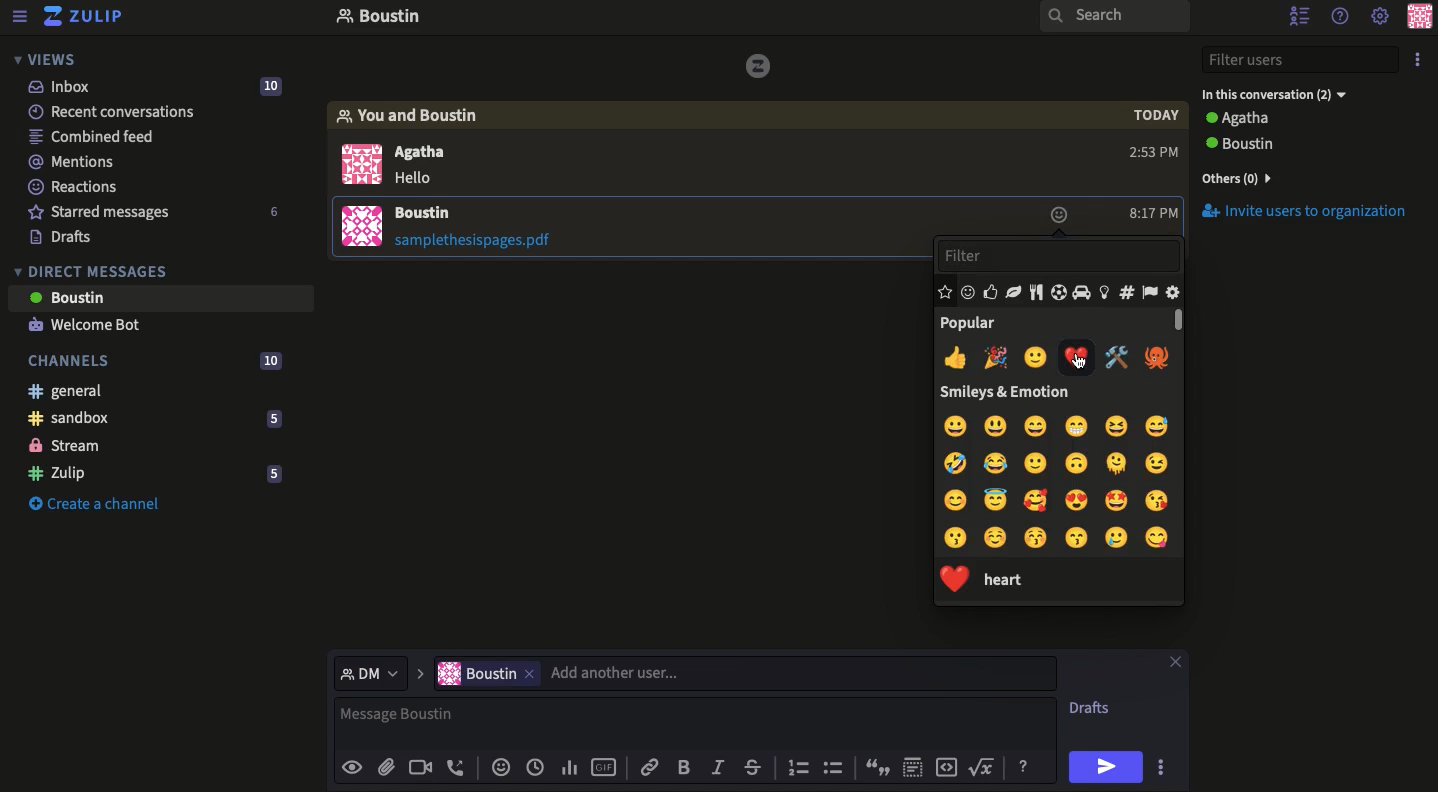  I want to click on laughing, so click(1119, 430).